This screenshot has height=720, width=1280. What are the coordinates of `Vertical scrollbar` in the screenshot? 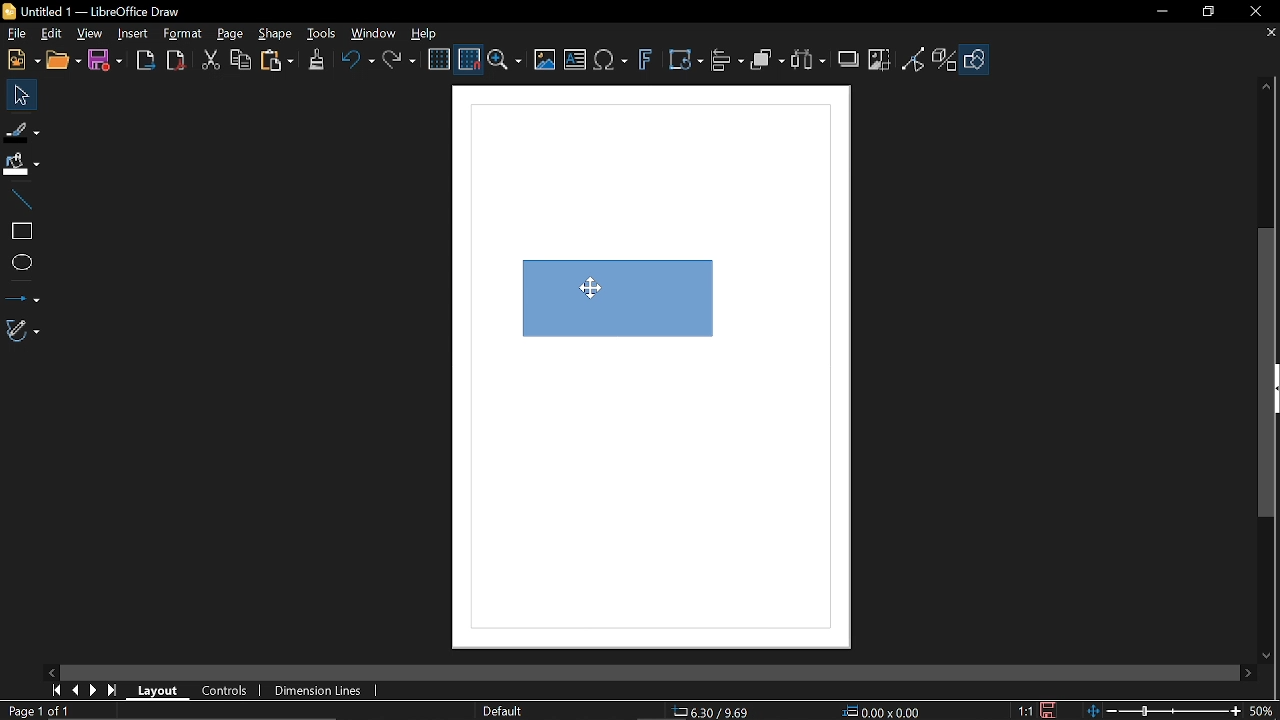 It's located at (1267, 372).